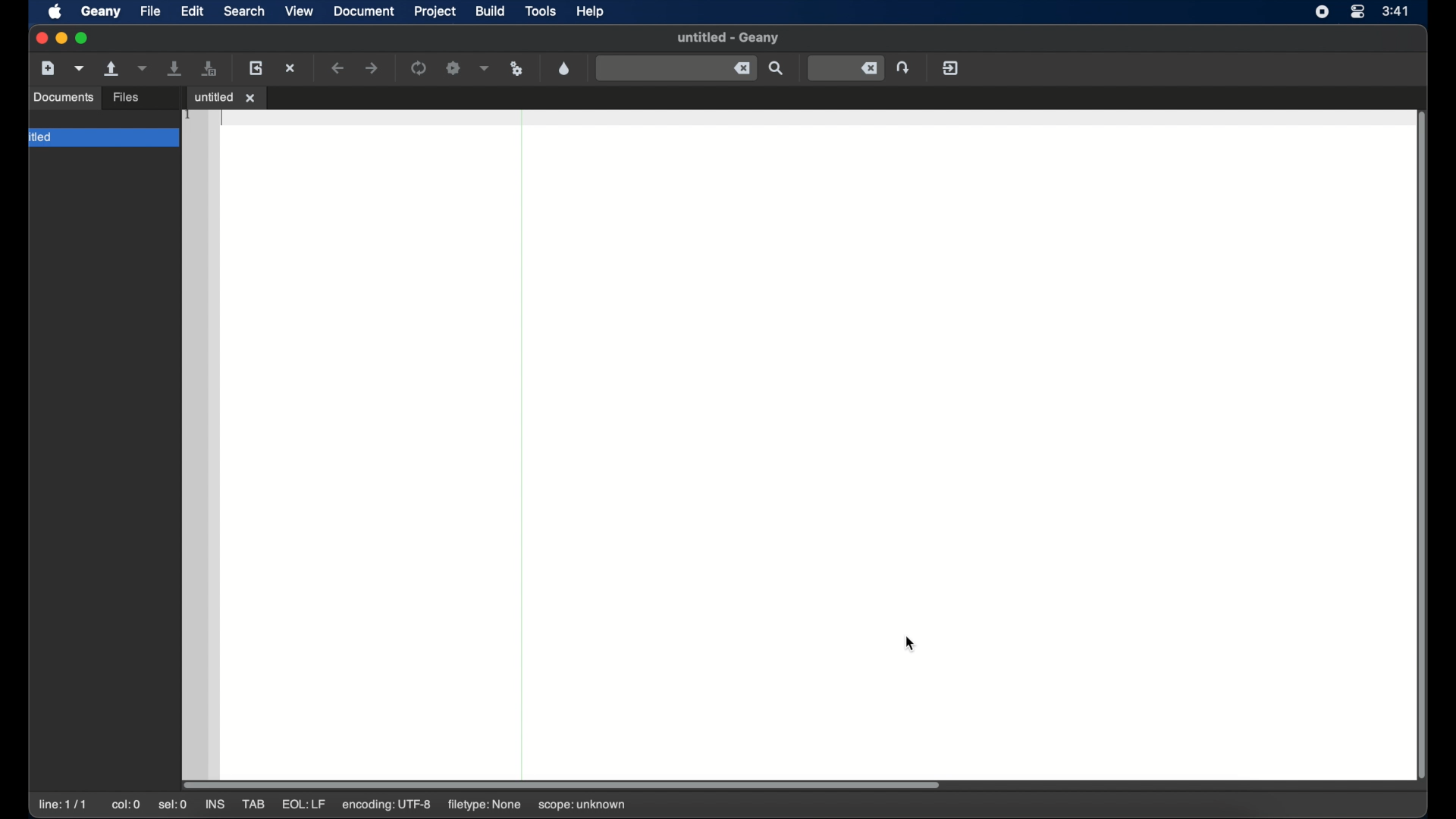 This screenshot has height=819, width=1456. I want to click on eql: lf, so click(303, 804).